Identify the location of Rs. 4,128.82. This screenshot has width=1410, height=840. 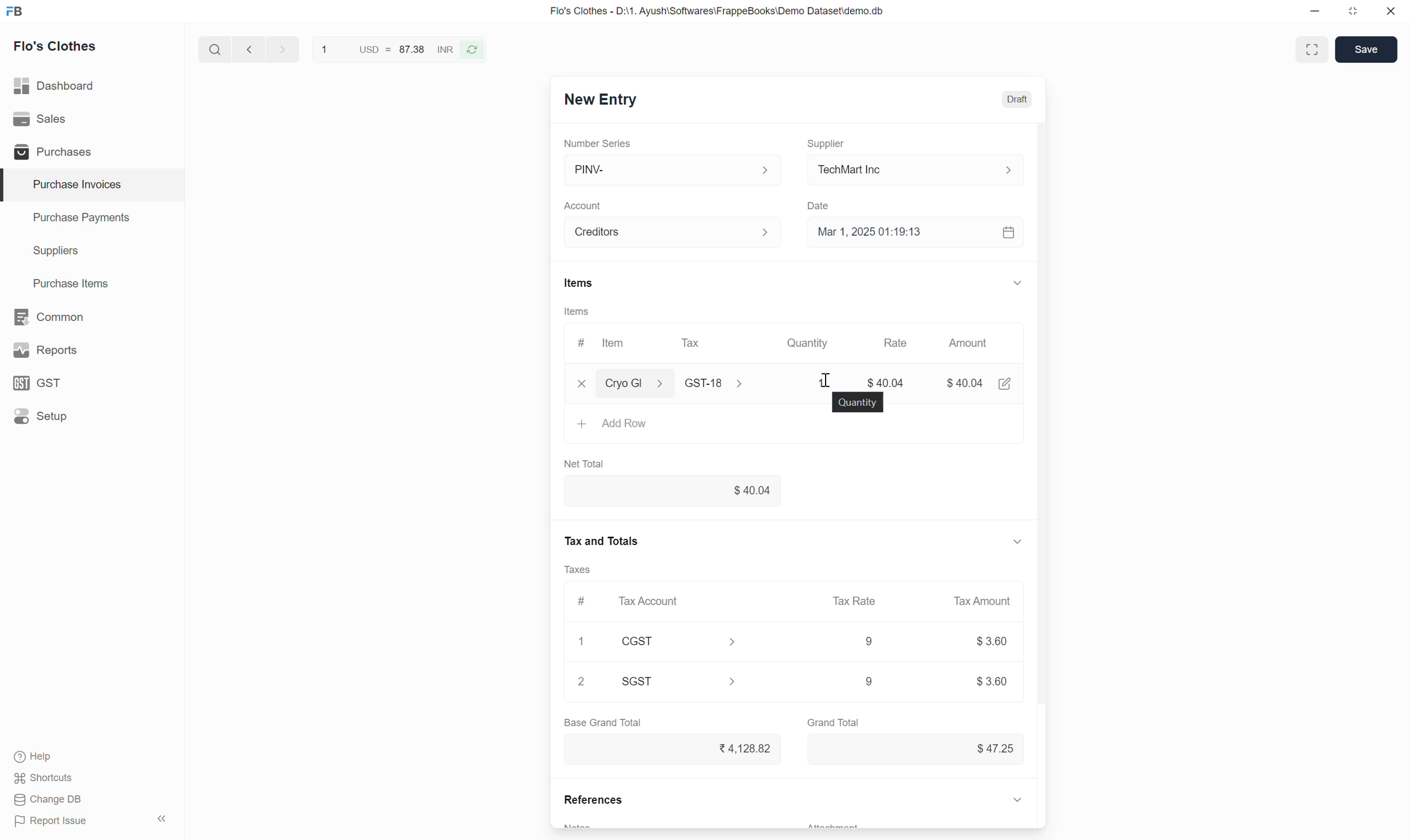
(740, 747).